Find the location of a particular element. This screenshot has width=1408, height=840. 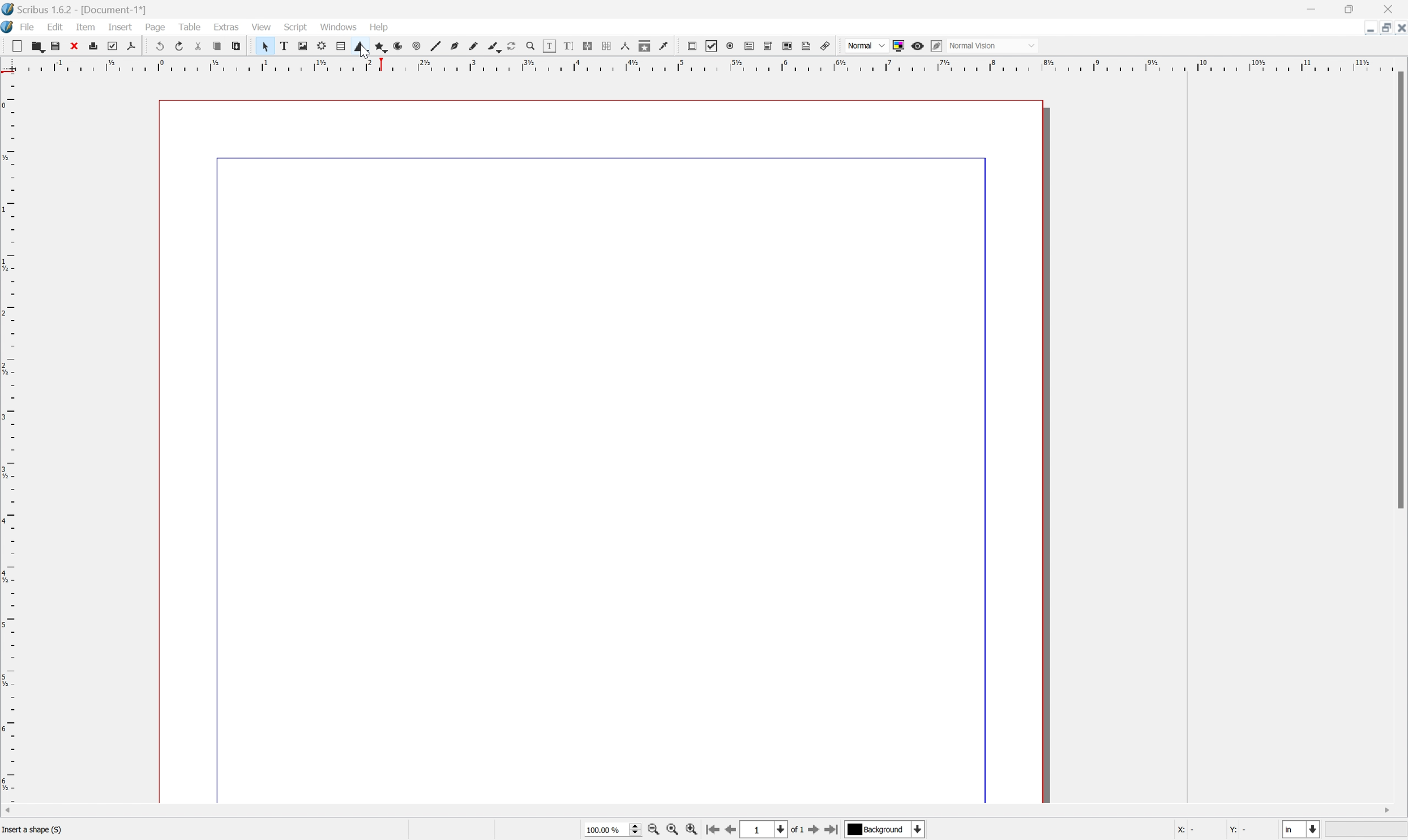

Zoom out by stepping values in Tools preferences is located at coordinates (654, 830).